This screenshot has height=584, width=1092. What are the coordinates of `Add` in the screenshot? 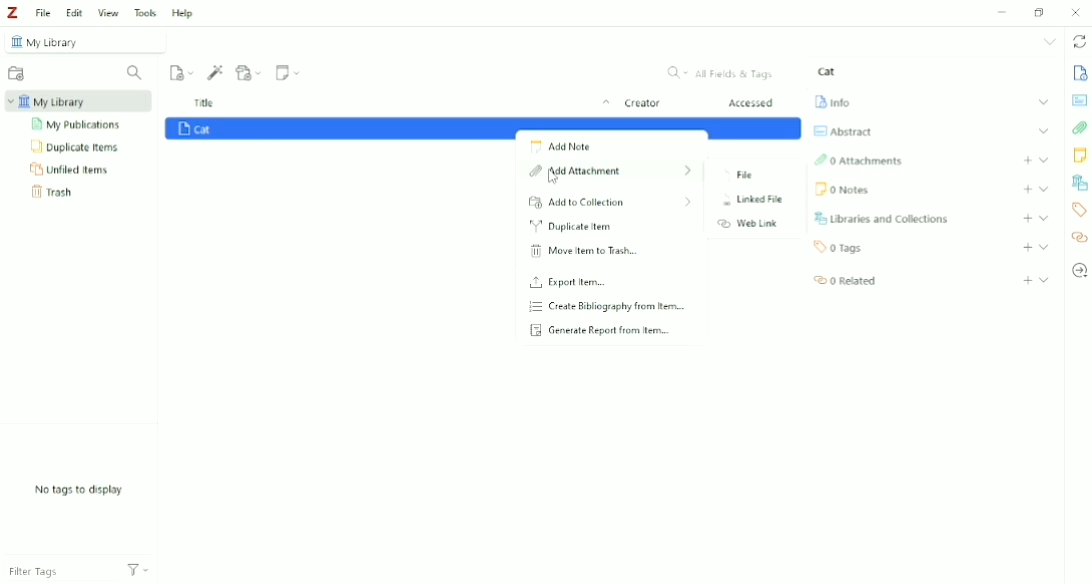 It's located at (1028, 281).